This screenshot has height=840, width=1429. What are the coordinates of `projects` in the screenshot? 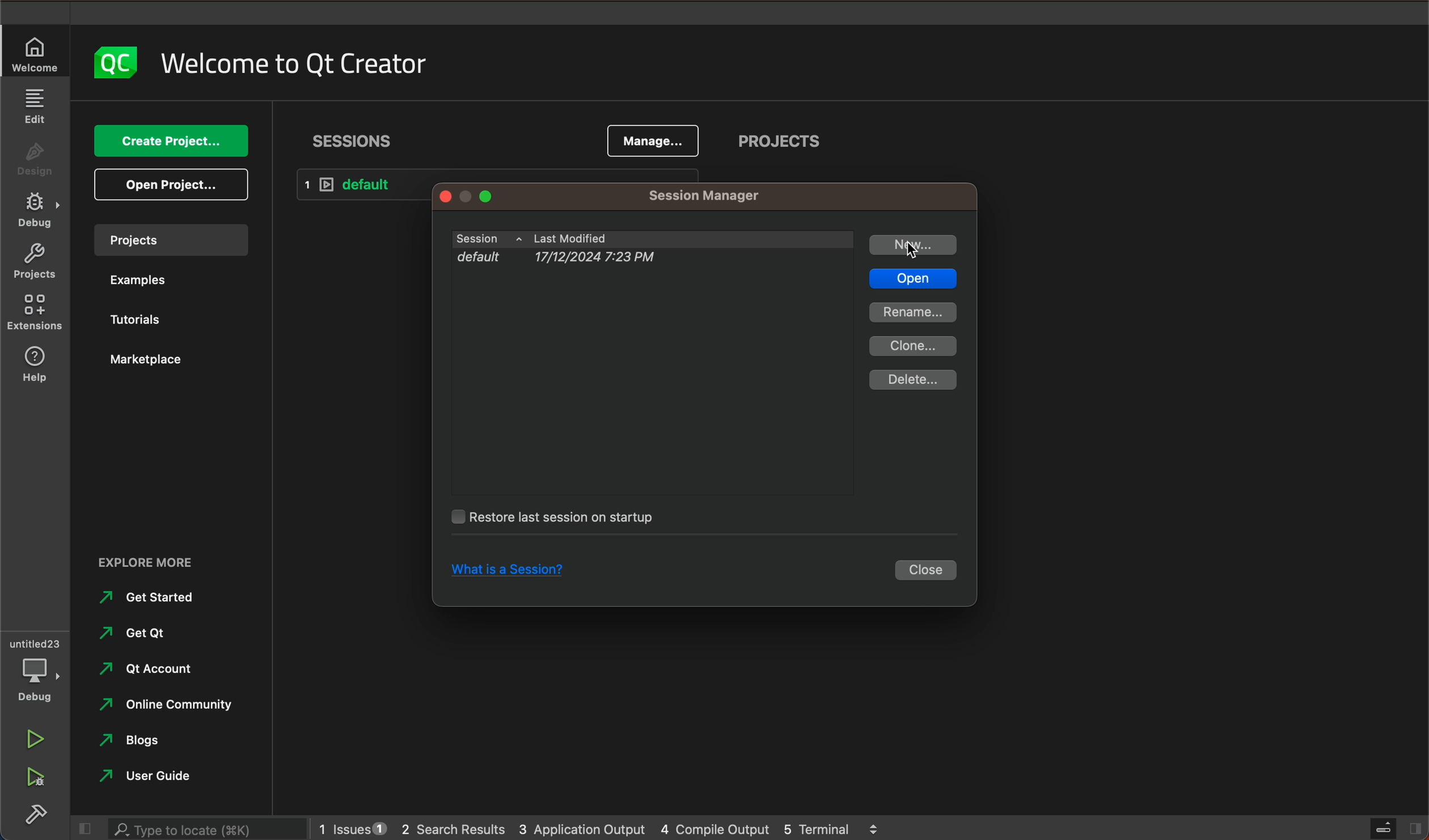 It's located at (781, 145).